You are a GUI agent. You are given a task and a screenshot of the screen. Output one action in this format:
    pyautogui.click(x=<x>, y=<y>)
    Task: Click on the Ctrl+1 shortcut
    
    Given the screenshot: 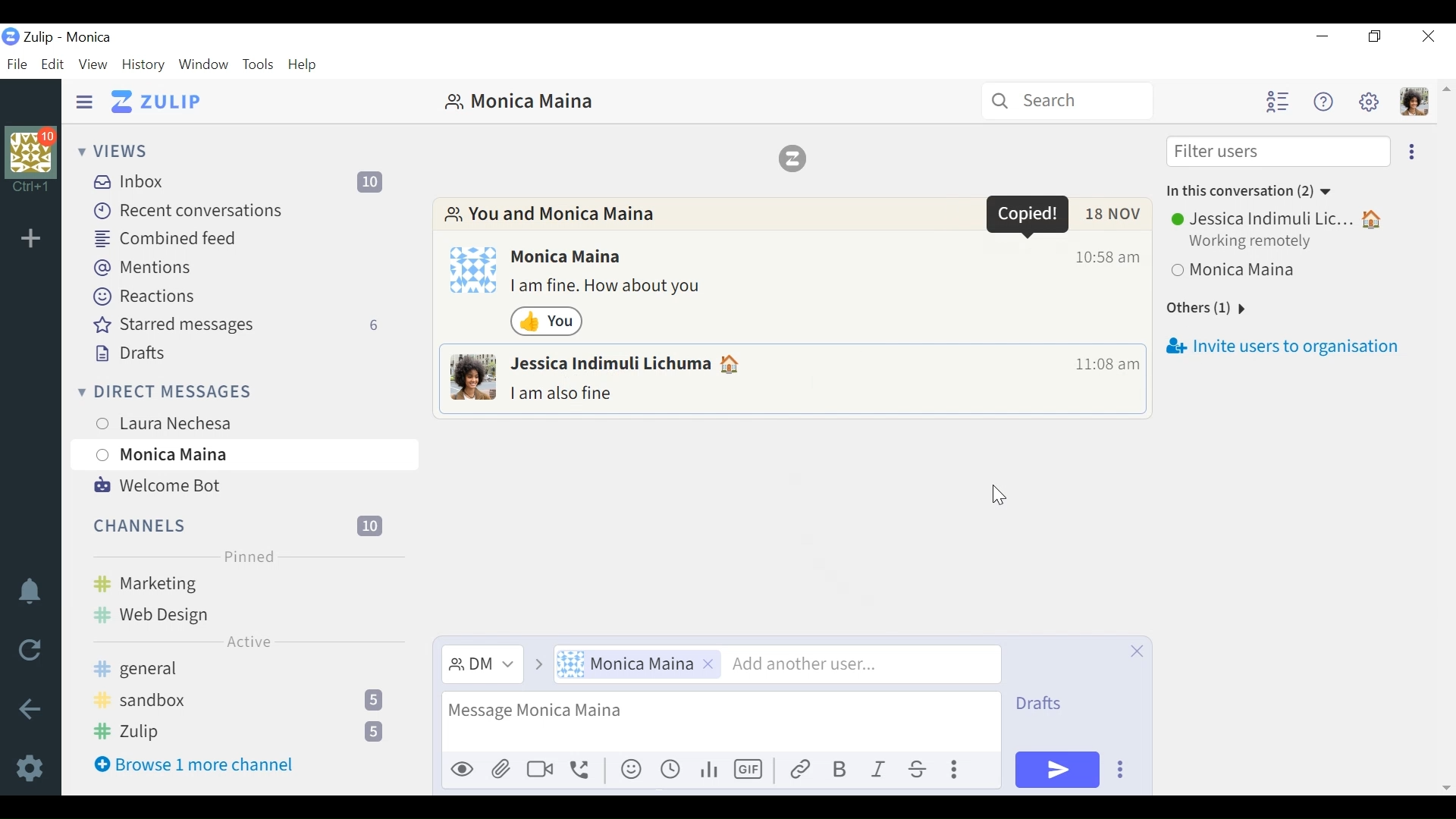 What is the action you would take?
    pyautogui.click(x=31, y=187)
    